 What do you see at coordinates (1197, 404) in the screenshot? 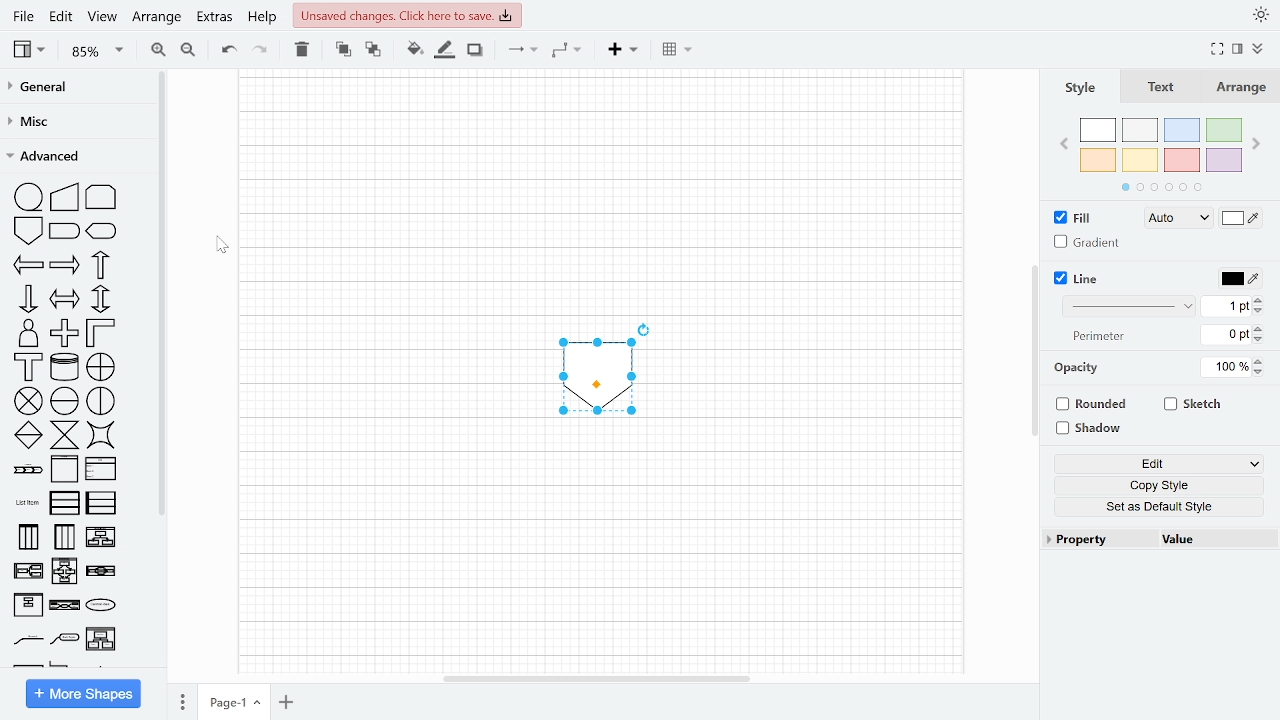
I see `Sketch` at bounding box center [1197, 404].